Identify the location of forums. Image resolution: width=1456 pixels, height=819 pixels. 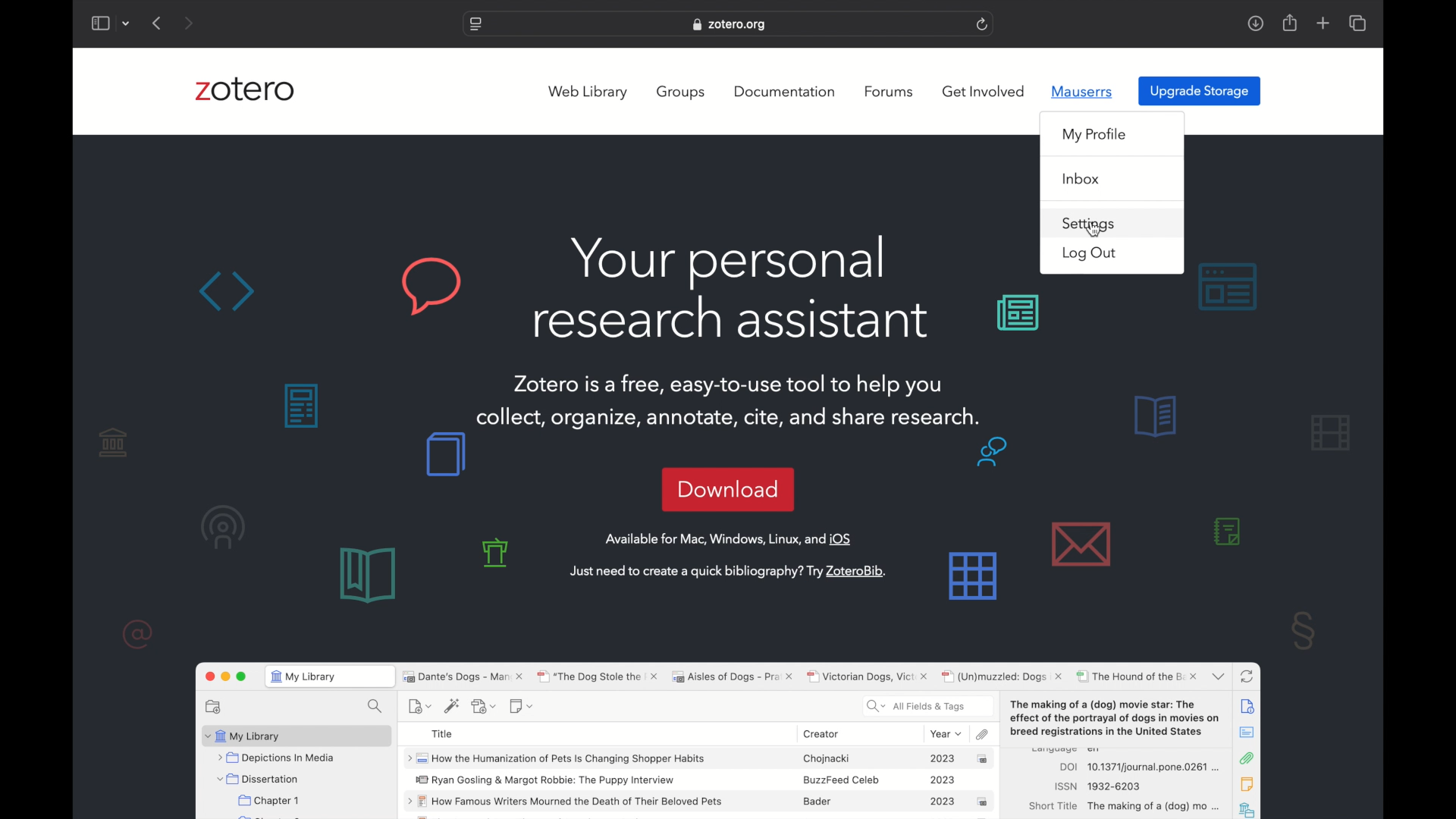
(890, 92).